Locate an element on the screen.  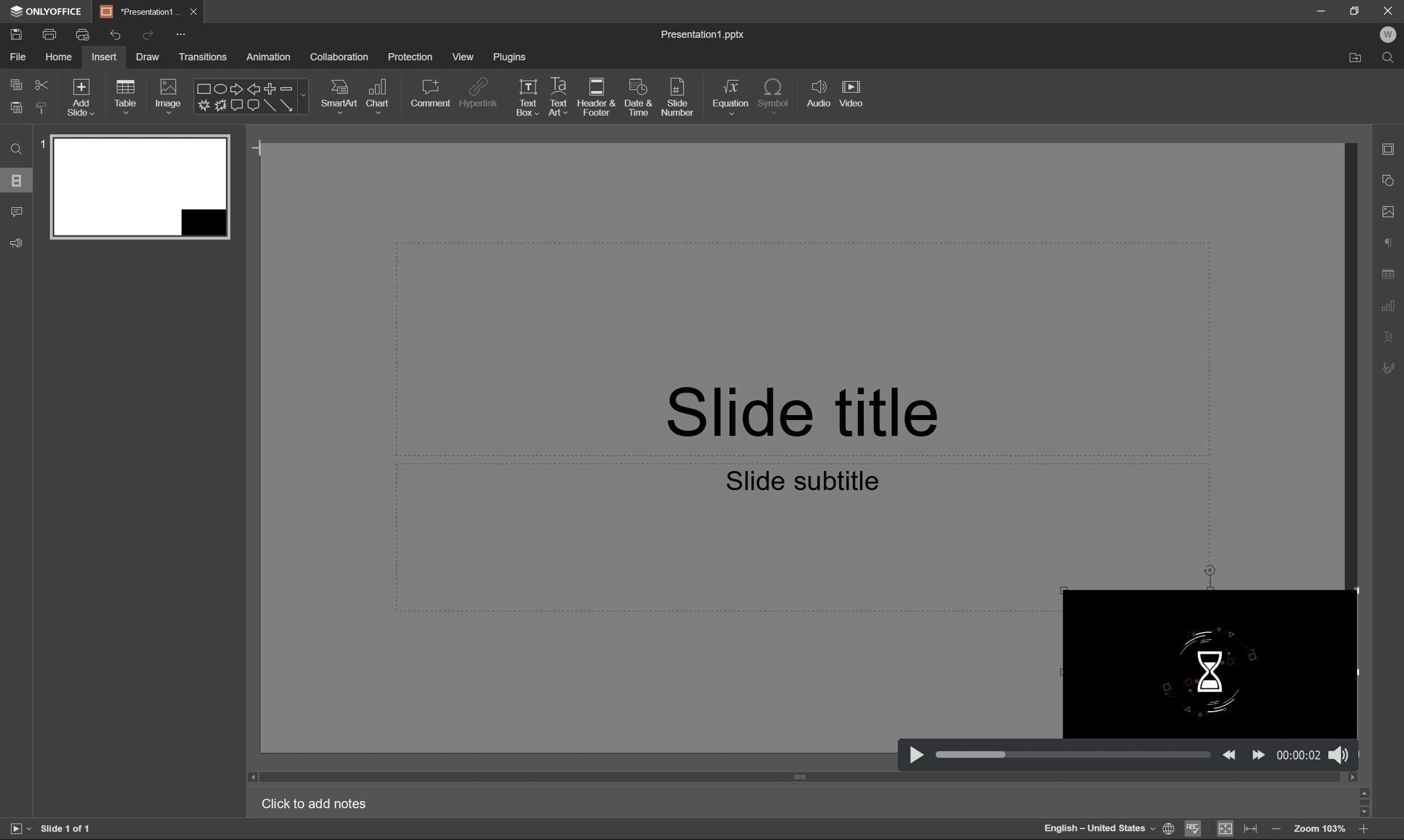
save is located at coordinates (14, 32).